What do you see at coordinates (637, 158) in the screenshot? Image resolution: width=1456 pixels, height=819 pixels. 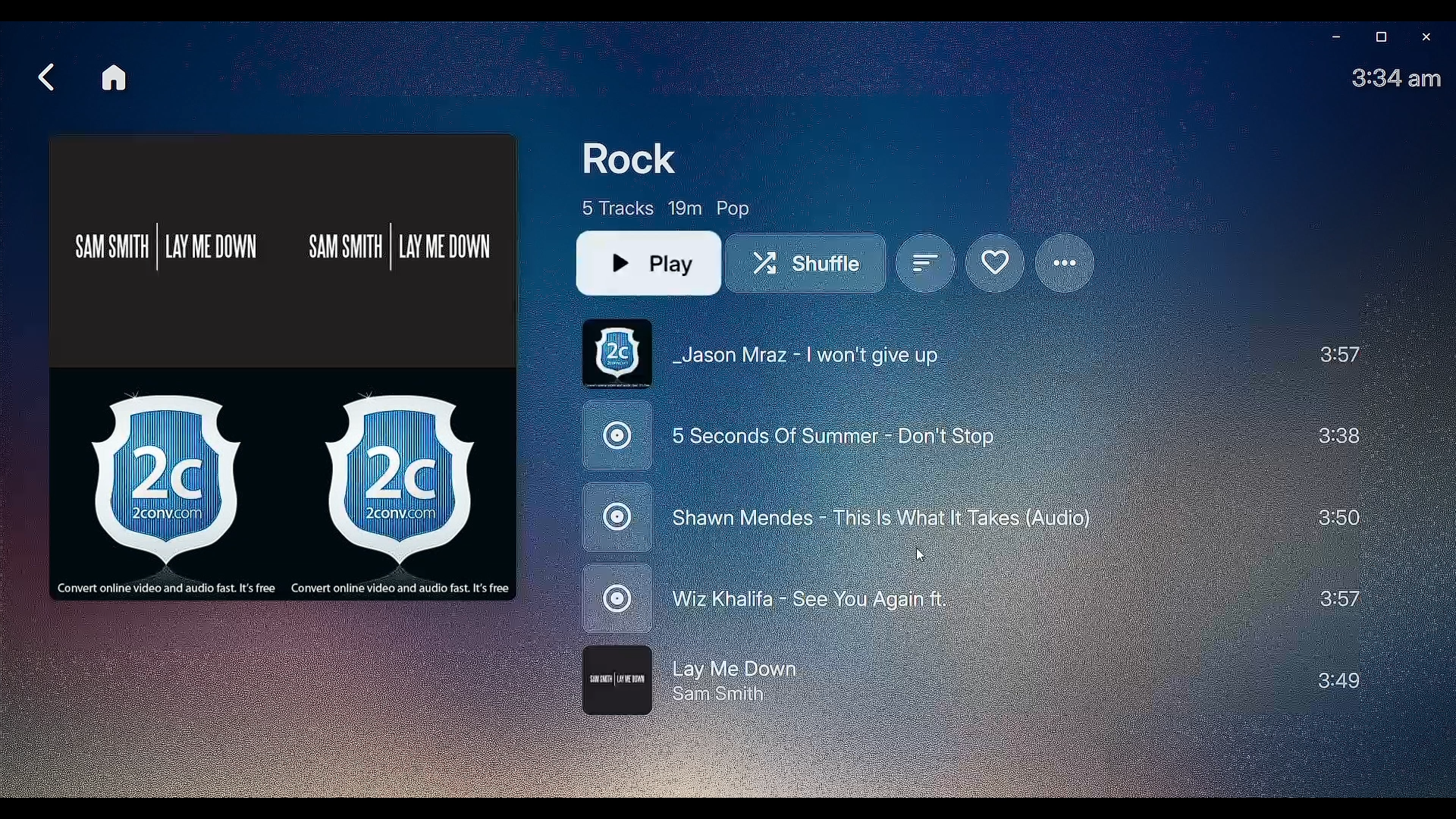 I see `Rock` at bounding box center [637, 158].